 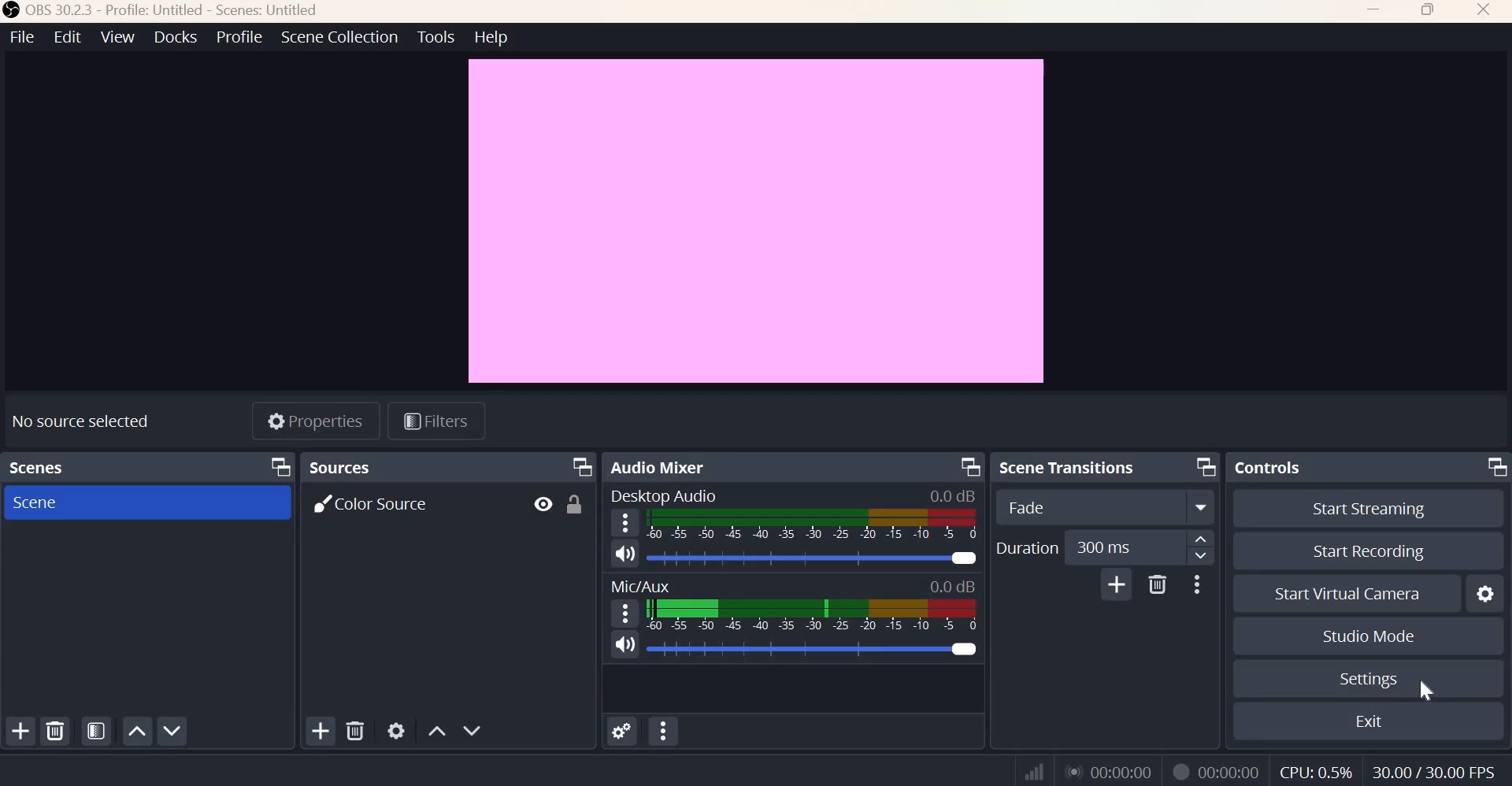 I want to click on hamburger menu, so click(x=624, y=521).